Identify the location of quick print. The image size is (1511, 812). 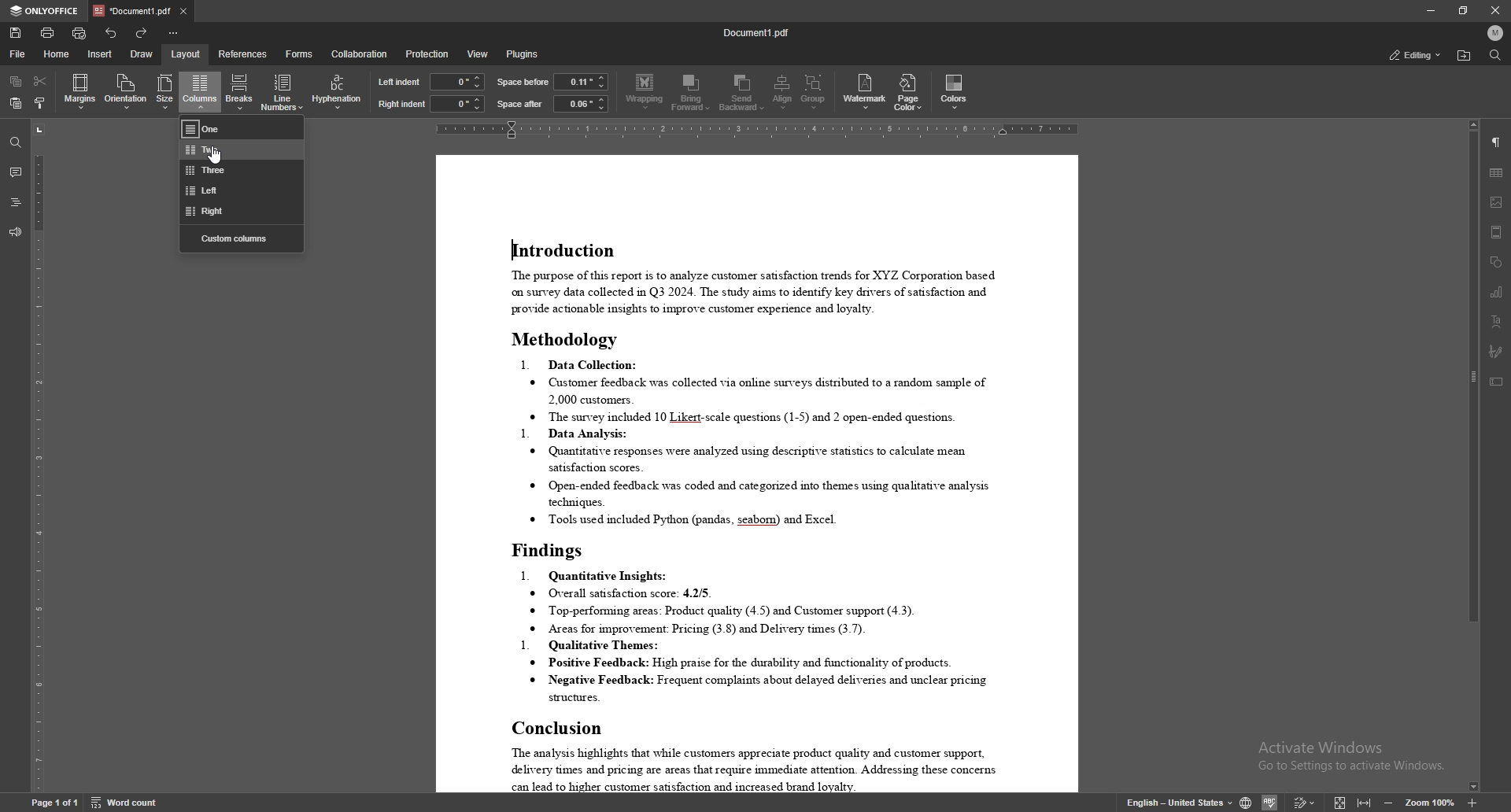
(79, 34).